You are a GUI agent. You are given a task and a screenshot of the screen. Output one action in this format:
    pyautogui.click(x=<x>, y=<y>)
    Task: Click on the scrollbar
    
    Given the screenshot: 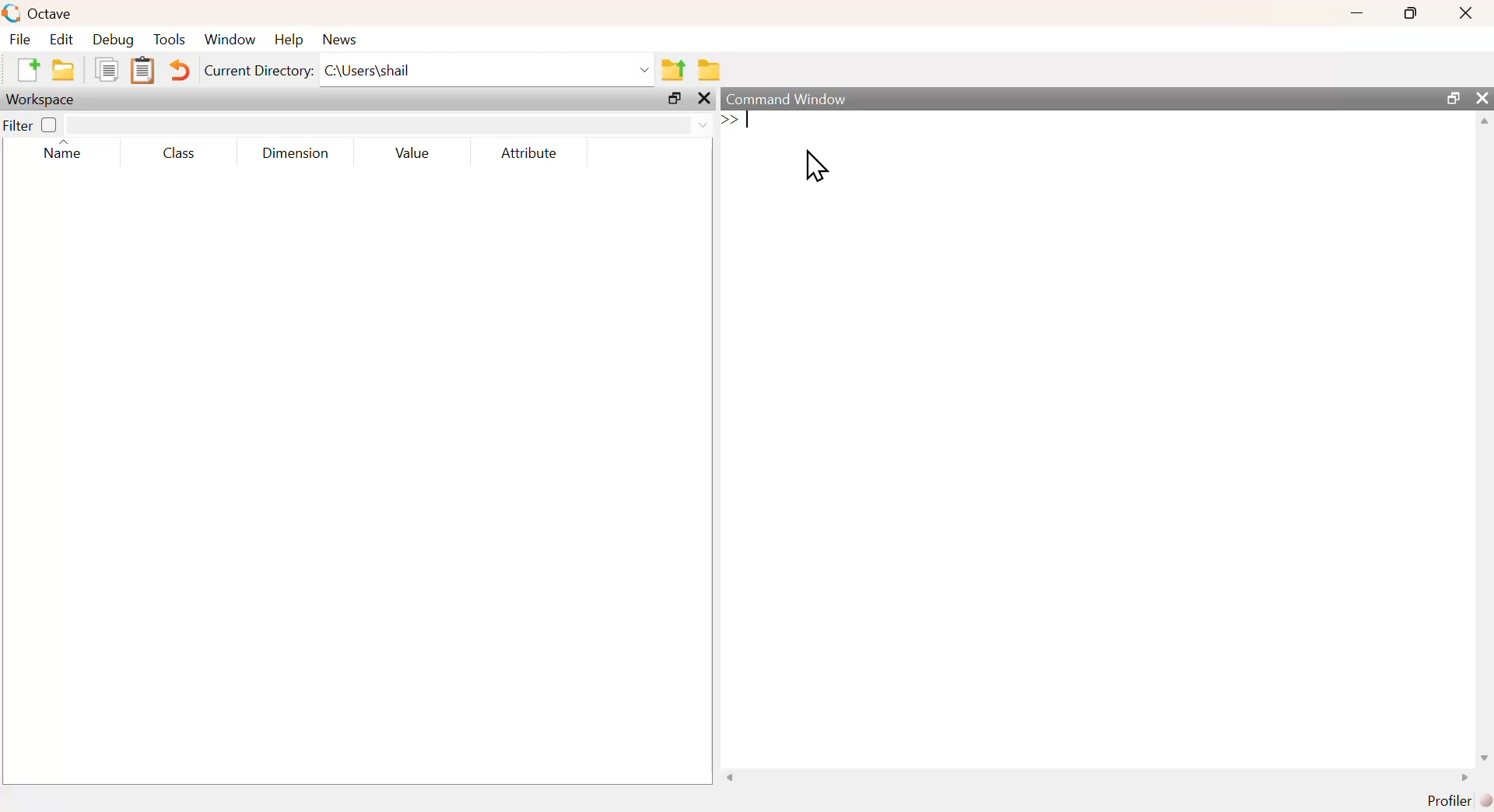 What is the action you would take?
    pyautogui.click(x=1485, y=442)
    